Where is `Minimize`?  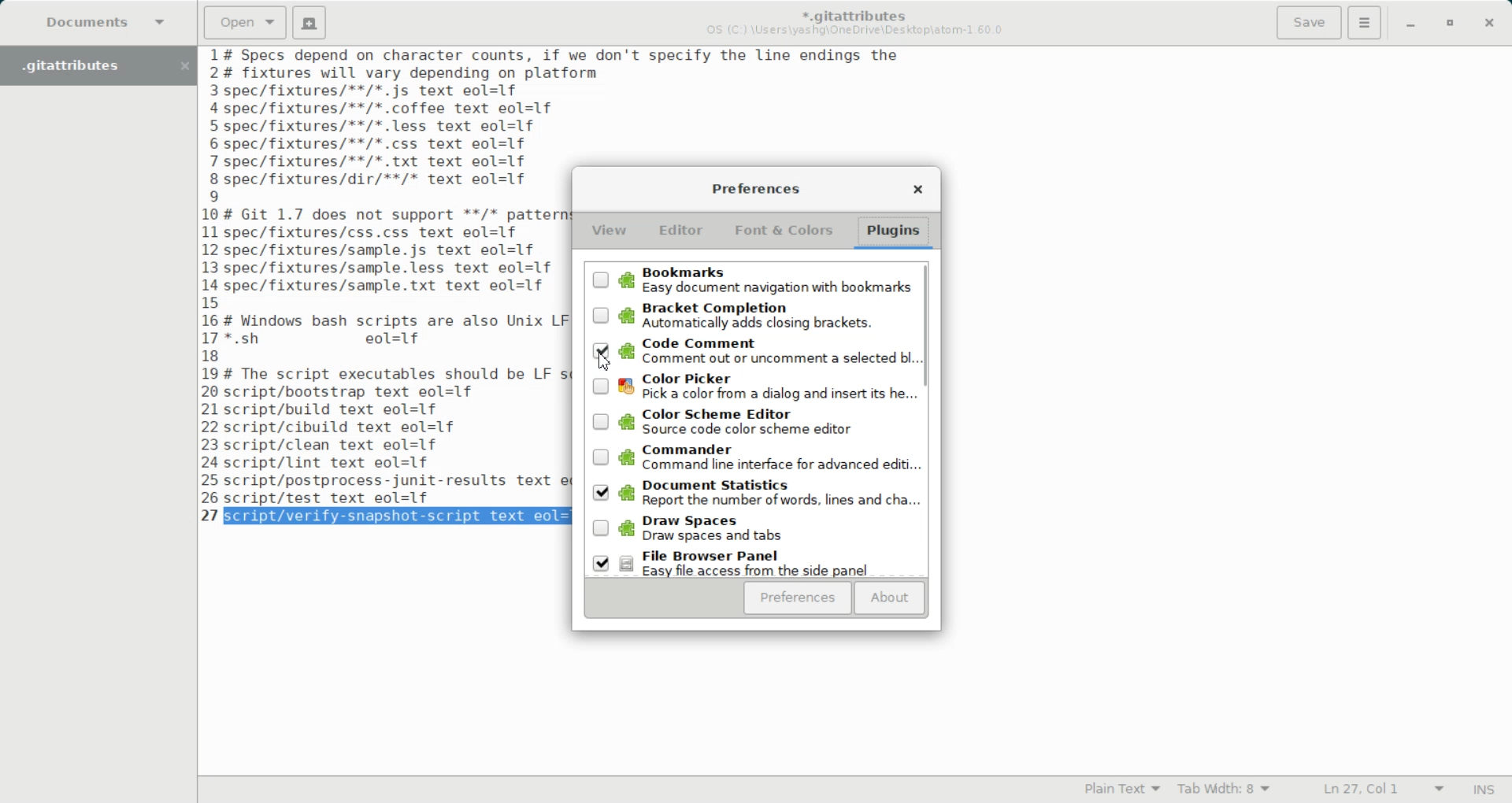
Minimize is located at coordinates (1410, 25).